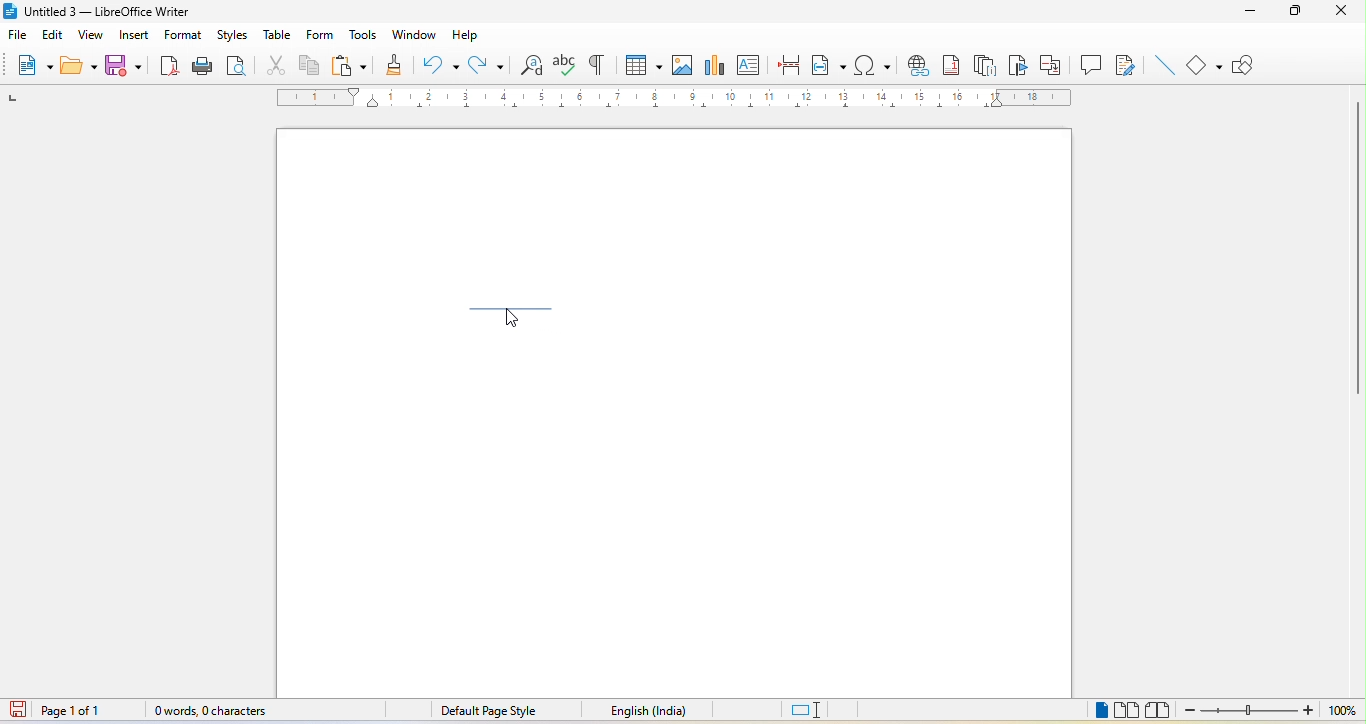  I want to click on 0 wards , 0 character, so click(212, 711).